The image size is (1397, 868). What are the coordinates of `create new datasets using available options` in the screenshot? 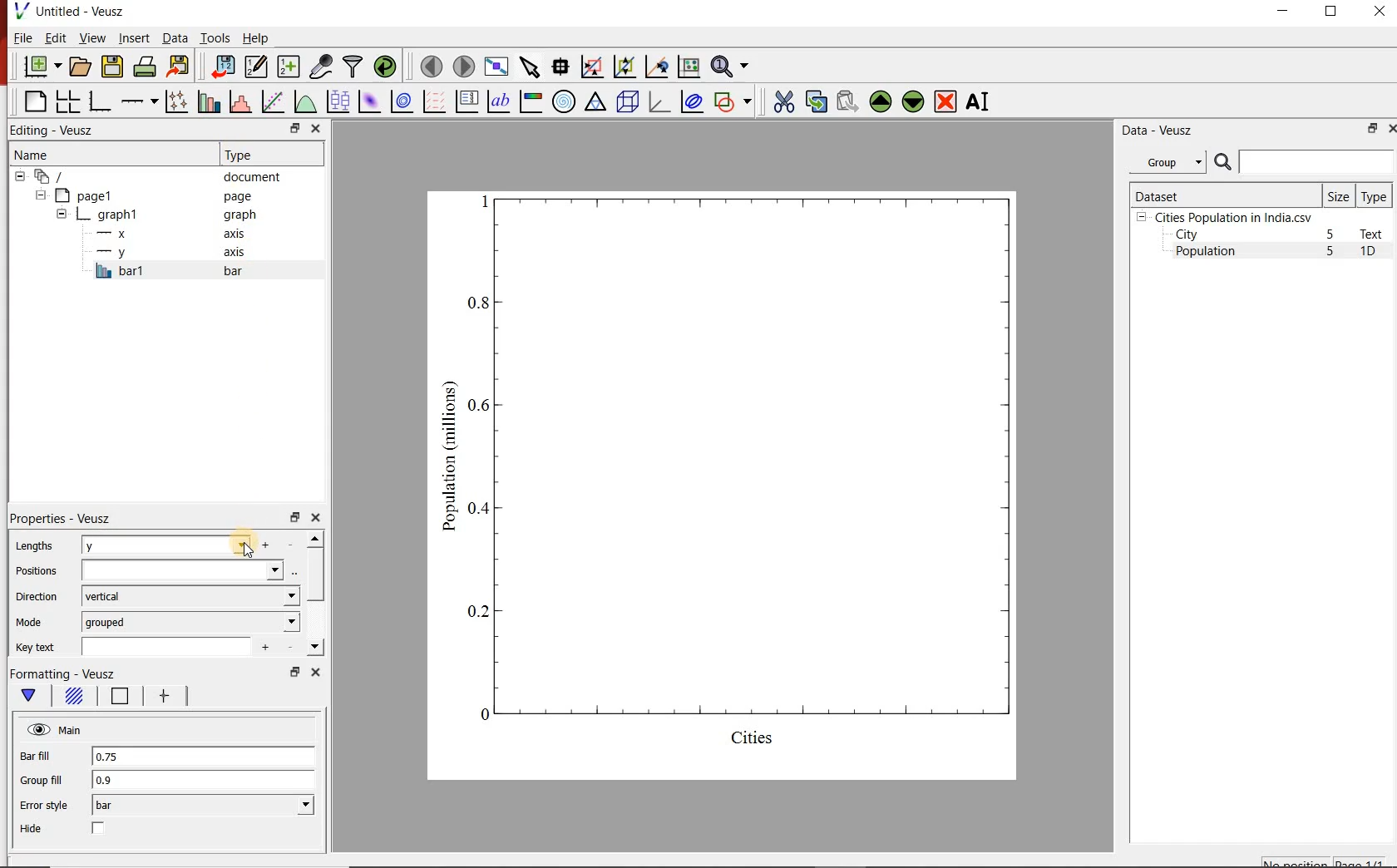 It's located at (286, 67).